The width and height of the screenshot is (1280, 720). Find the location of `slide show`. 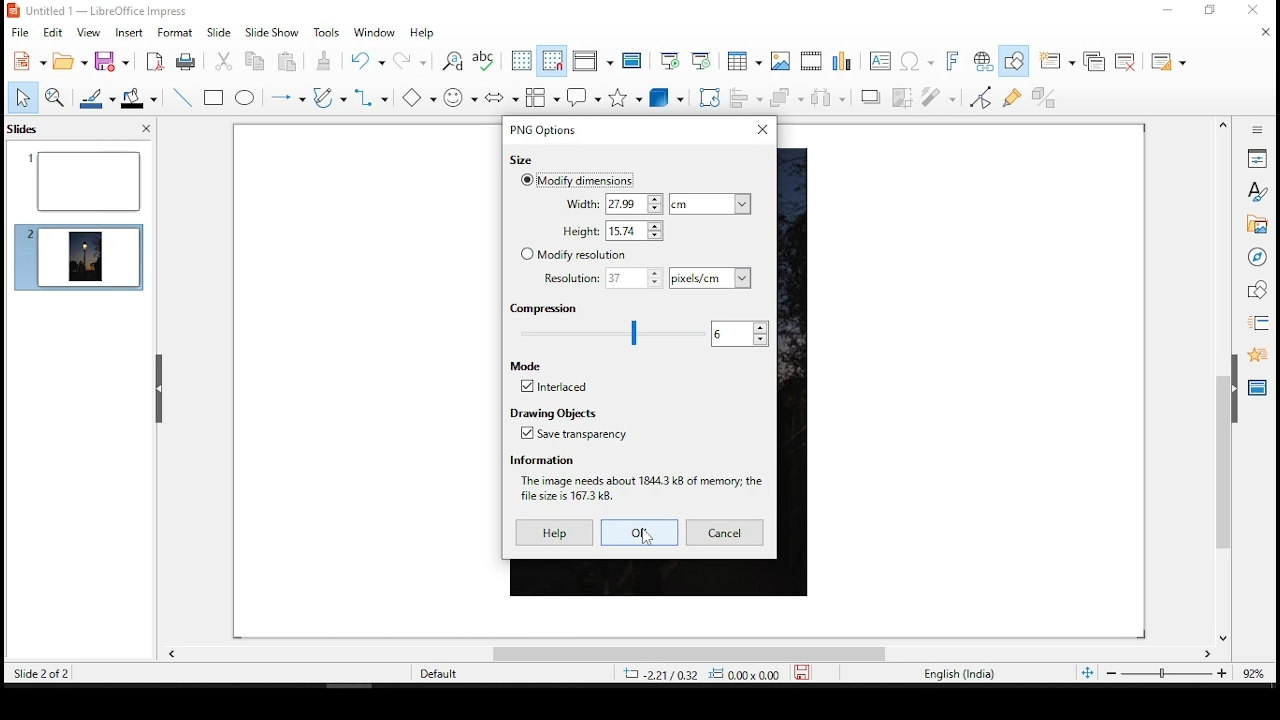

slide show is located at coordinates (273, 31).